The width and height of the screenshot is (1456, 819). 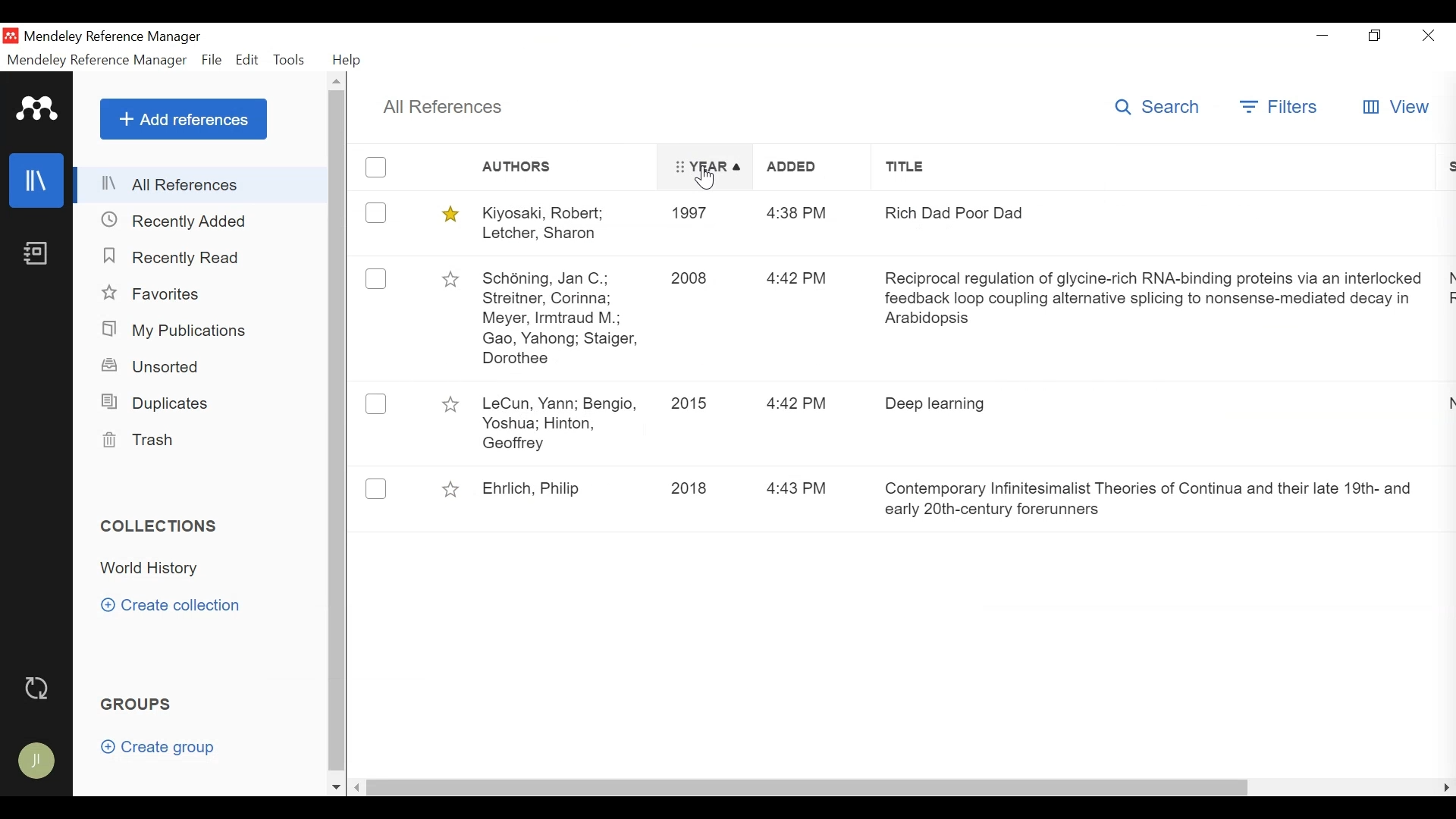 I want to click on Year, so click(x=704, y=168).